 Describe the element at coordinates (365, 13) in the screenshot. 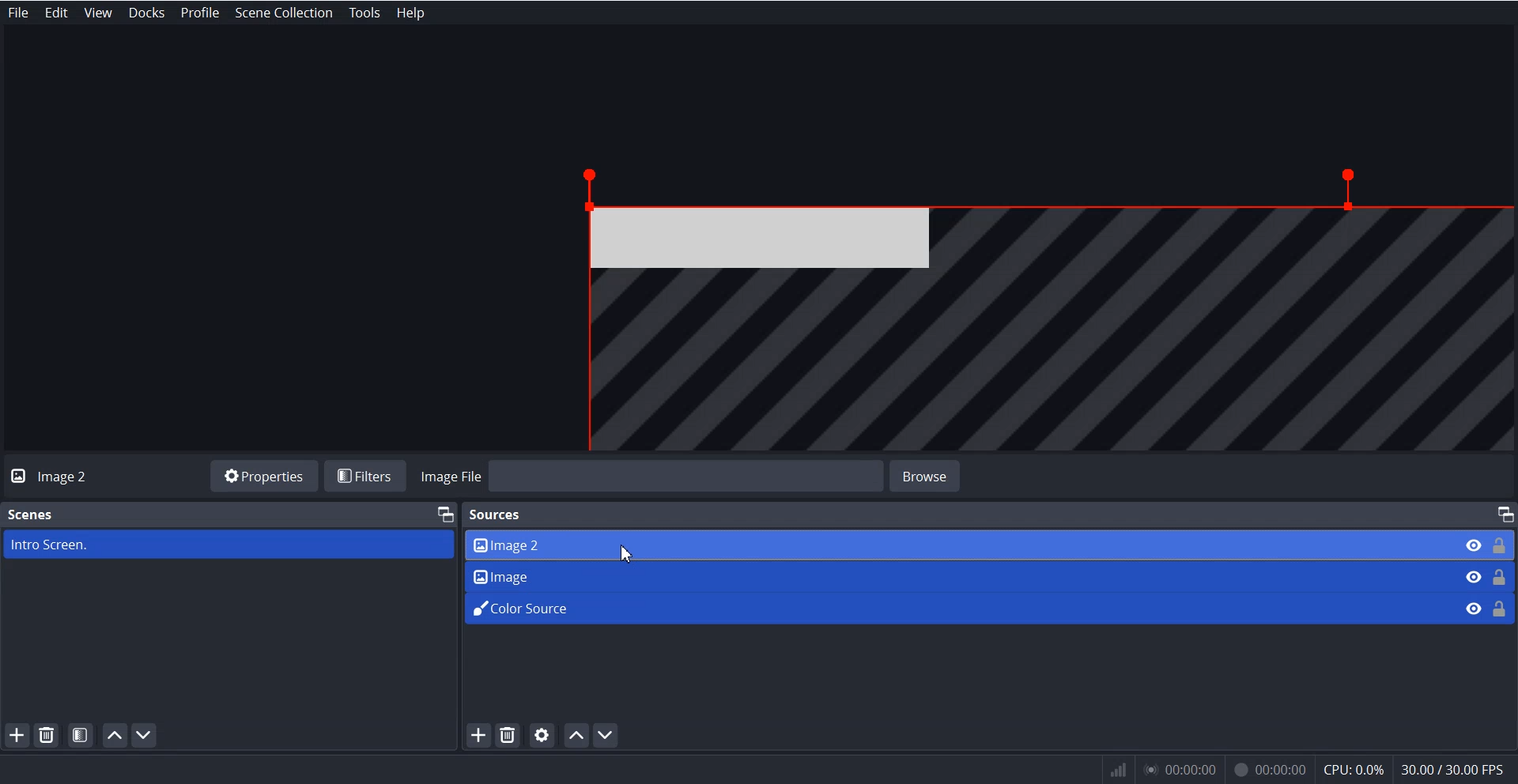

I see `Tools` at that location.